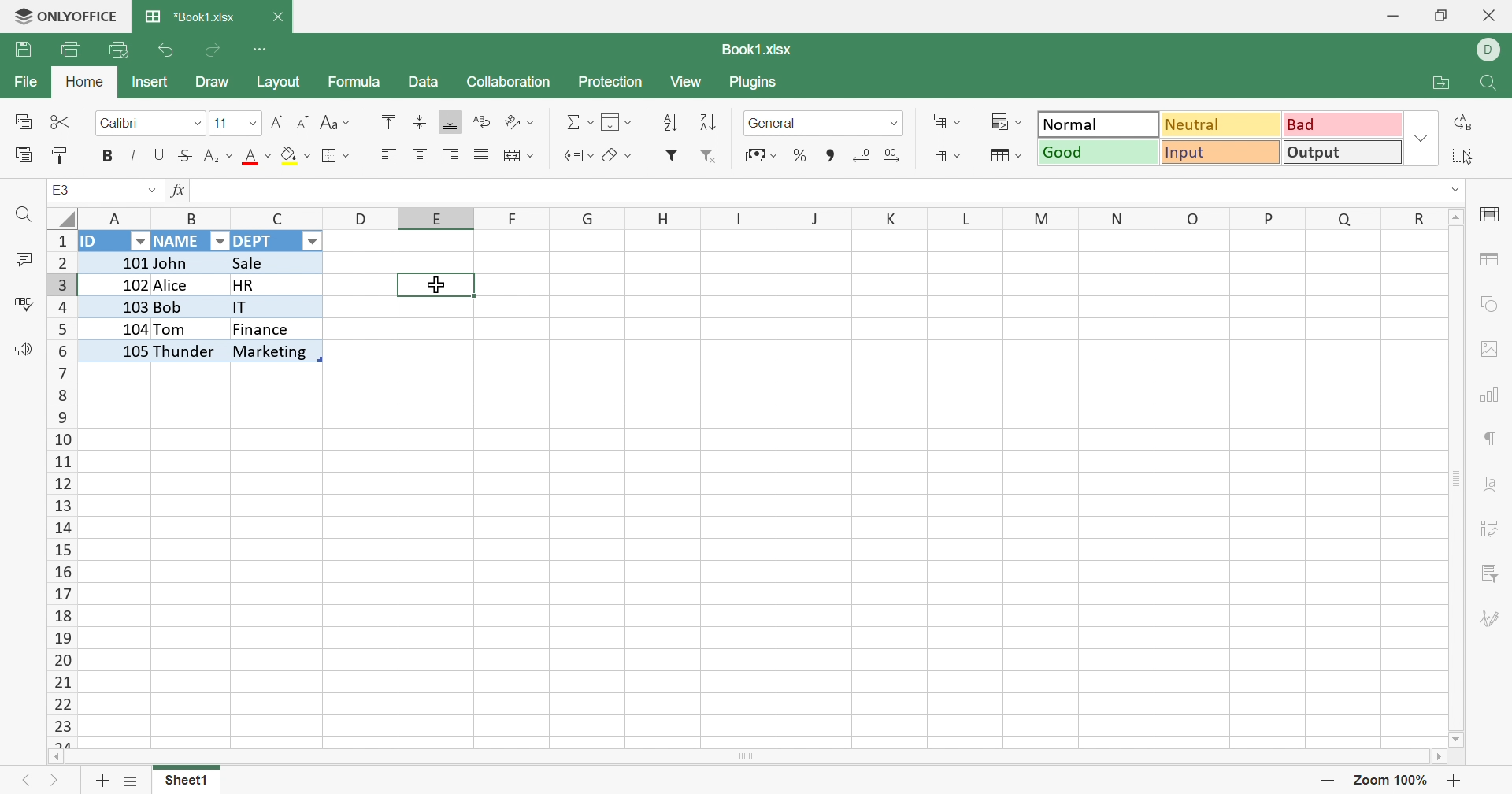 Image resolution: width=1512 pixels, height=794 pixels. I want to click on fx, so click(172, 191).